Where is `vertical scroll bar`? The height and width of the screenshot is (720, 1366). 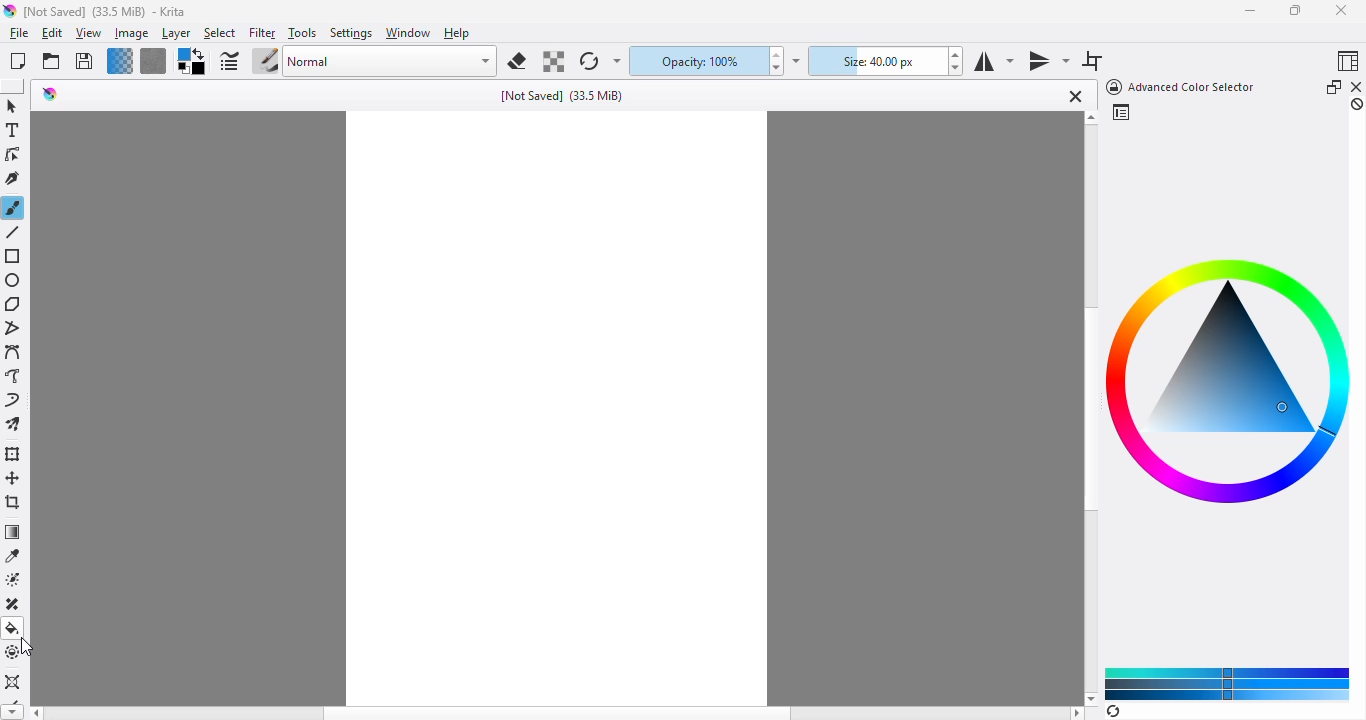
vertical scroll bar is located at coordinates (1089, 410).